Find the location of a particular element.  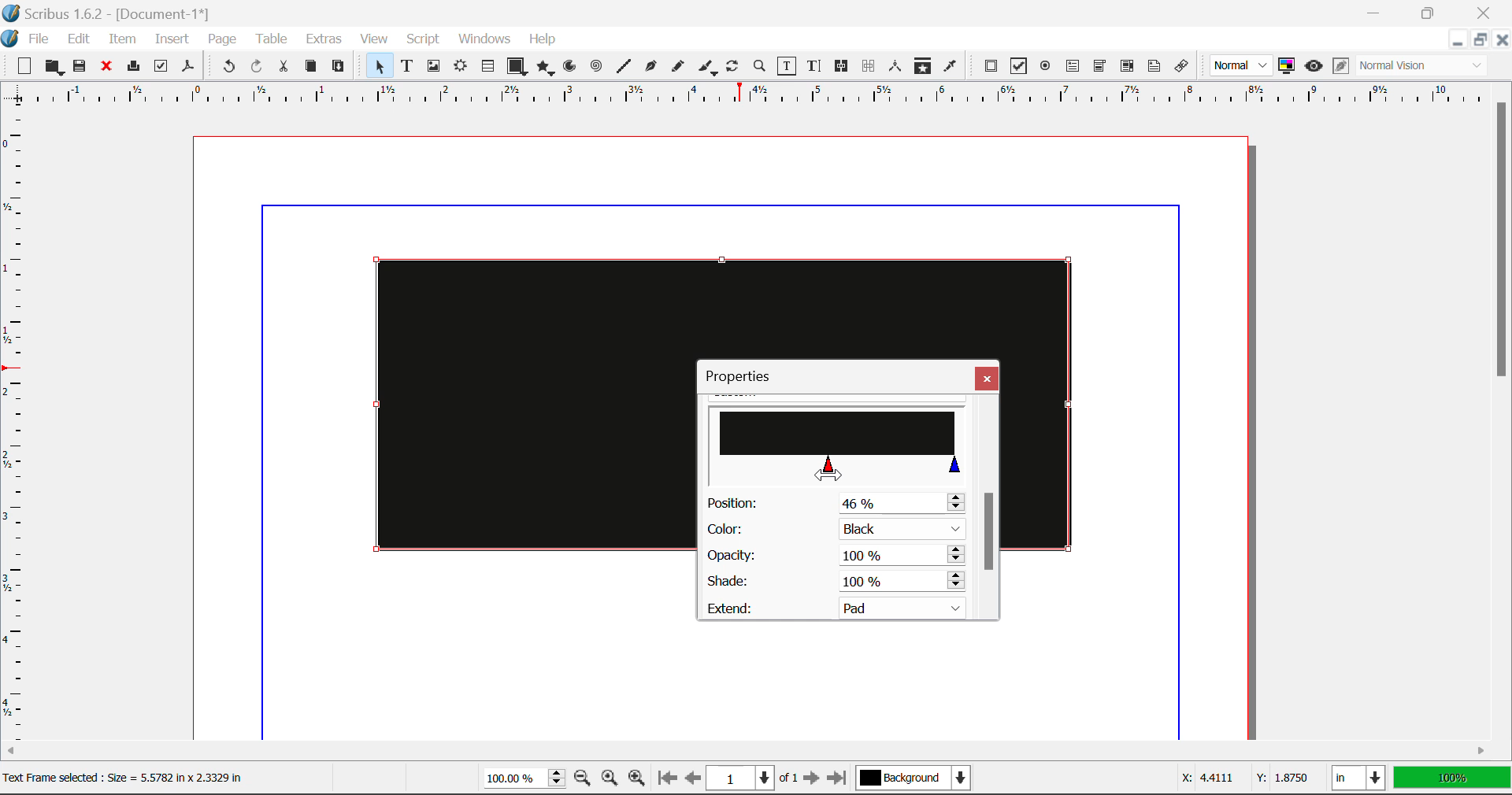

Save is located at coordinates (81, 67).